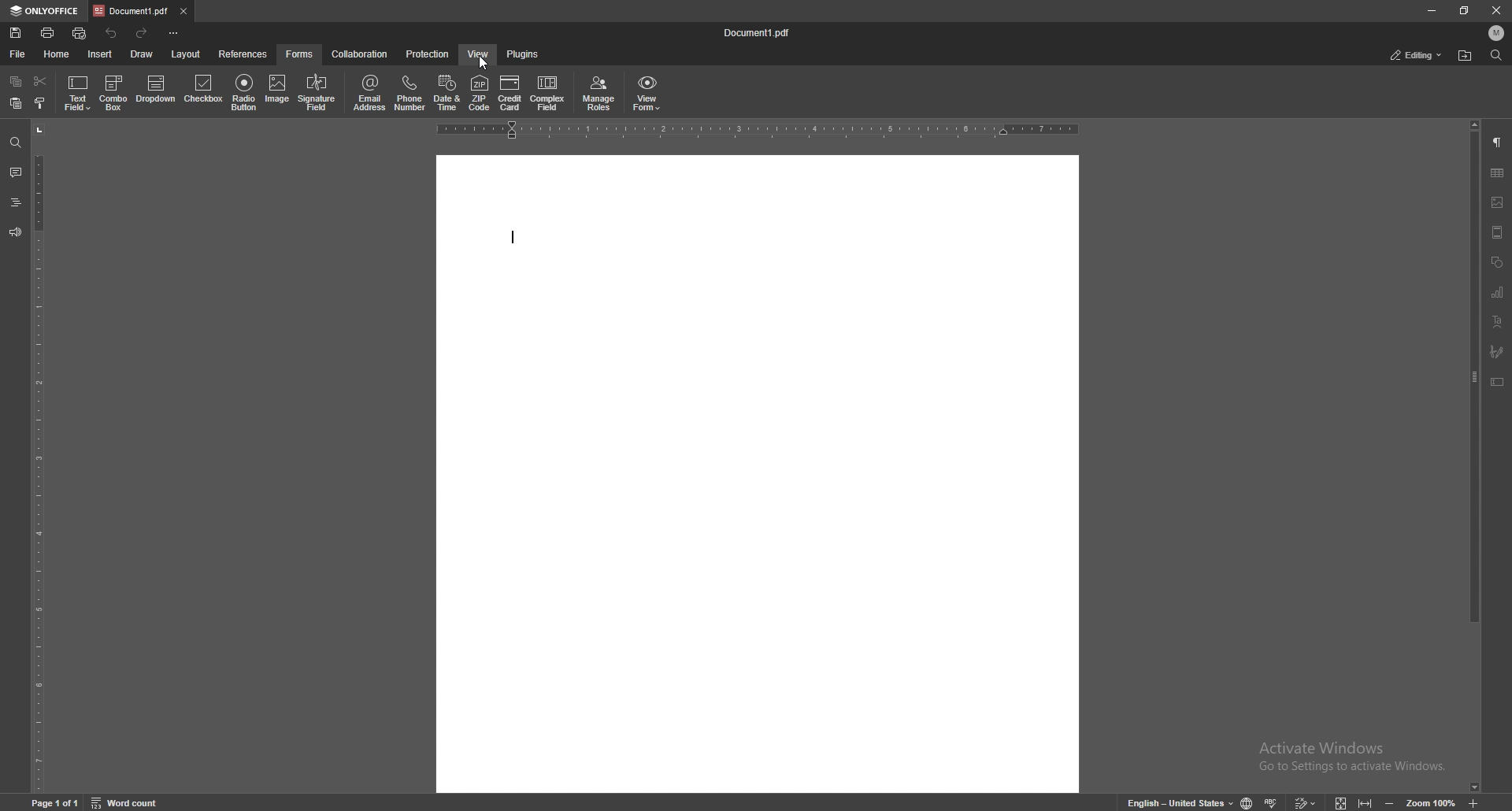 This screenshot has height=811, width=1512. Describe the element at coordinates (57, 54) in the screenshot. I see `home` at that location.